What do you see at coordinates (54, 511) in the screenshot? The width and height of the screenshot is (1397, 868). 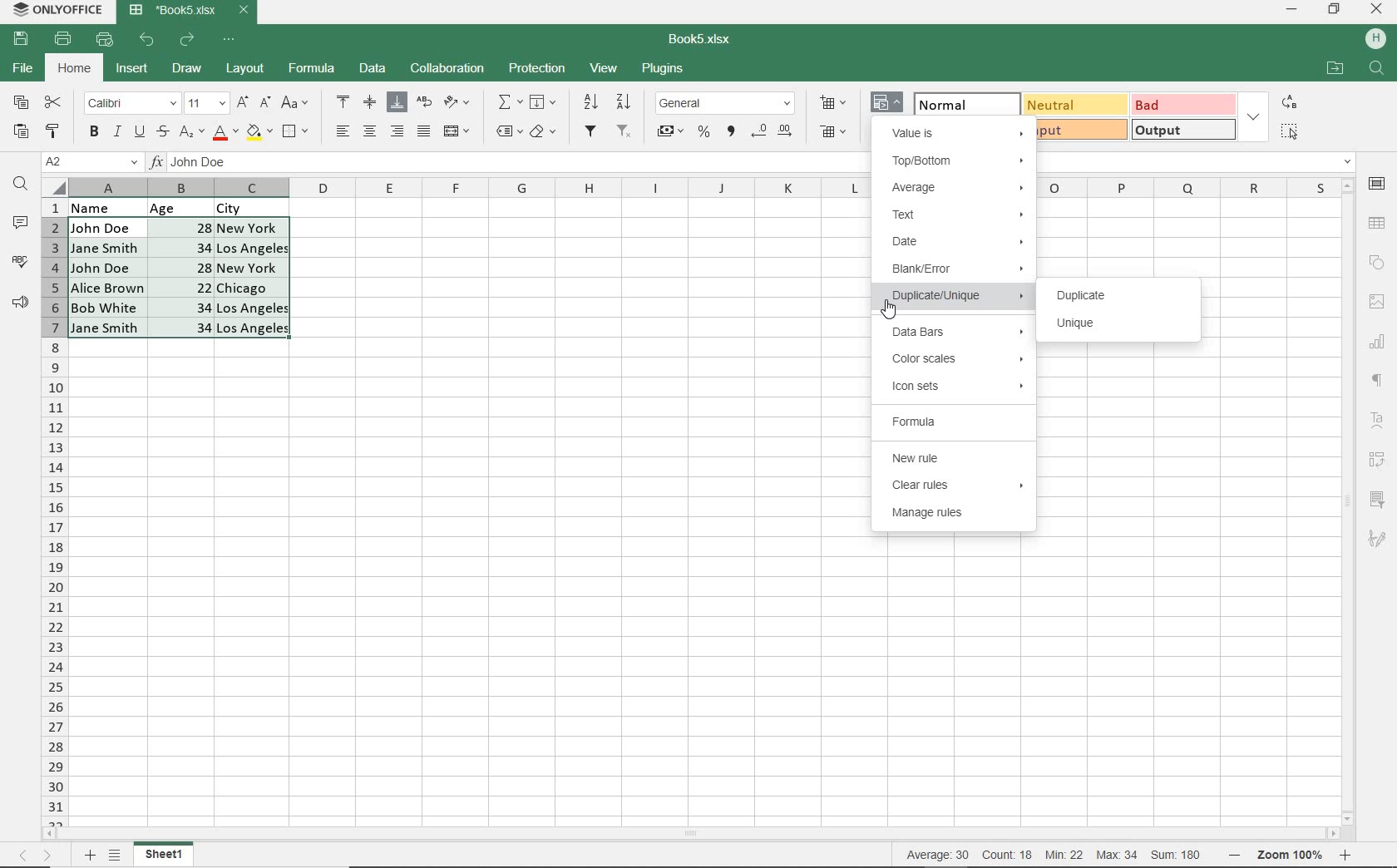 I see `COLUMNS` at bounding box center [54, 511].